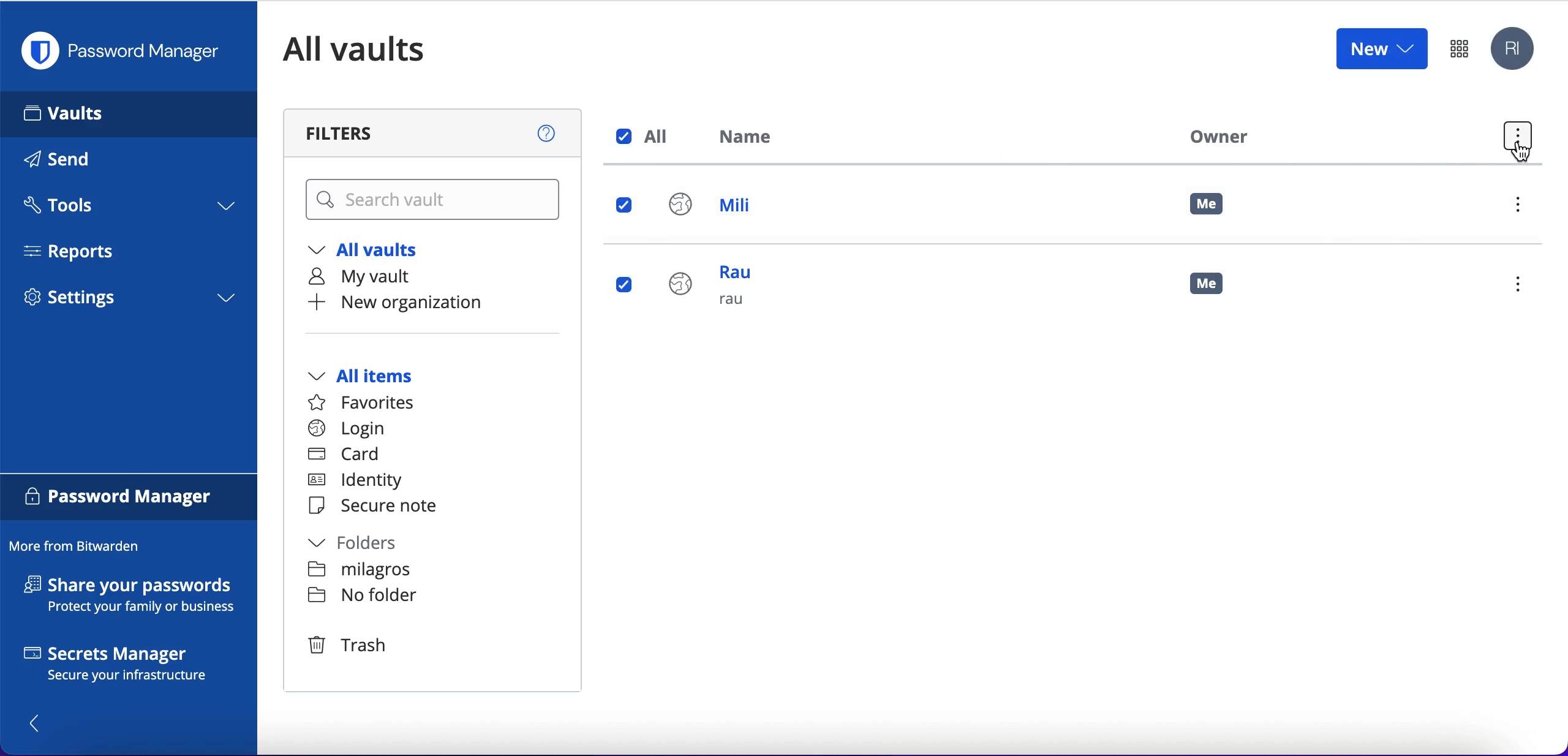 The height and width of the screenshot is (756, 1568). What do you see at coordinates (379, 377) in the screenshot?
I see `all items` at bounding box center [379, 377].